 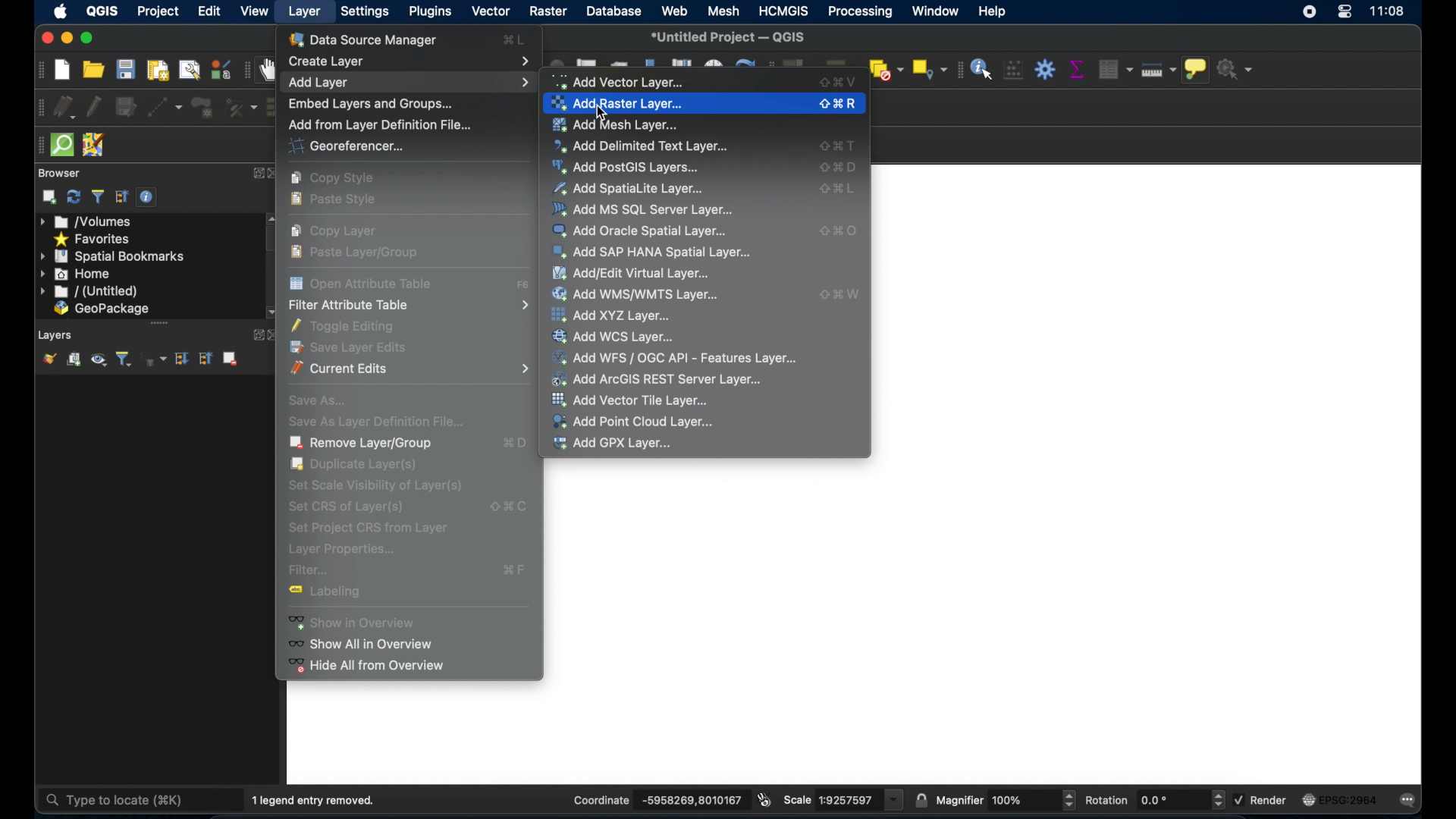 What do you see at coordinates (408, 82) in the screenshot?
I see `add layer menu` at bounding box center [408, 82].